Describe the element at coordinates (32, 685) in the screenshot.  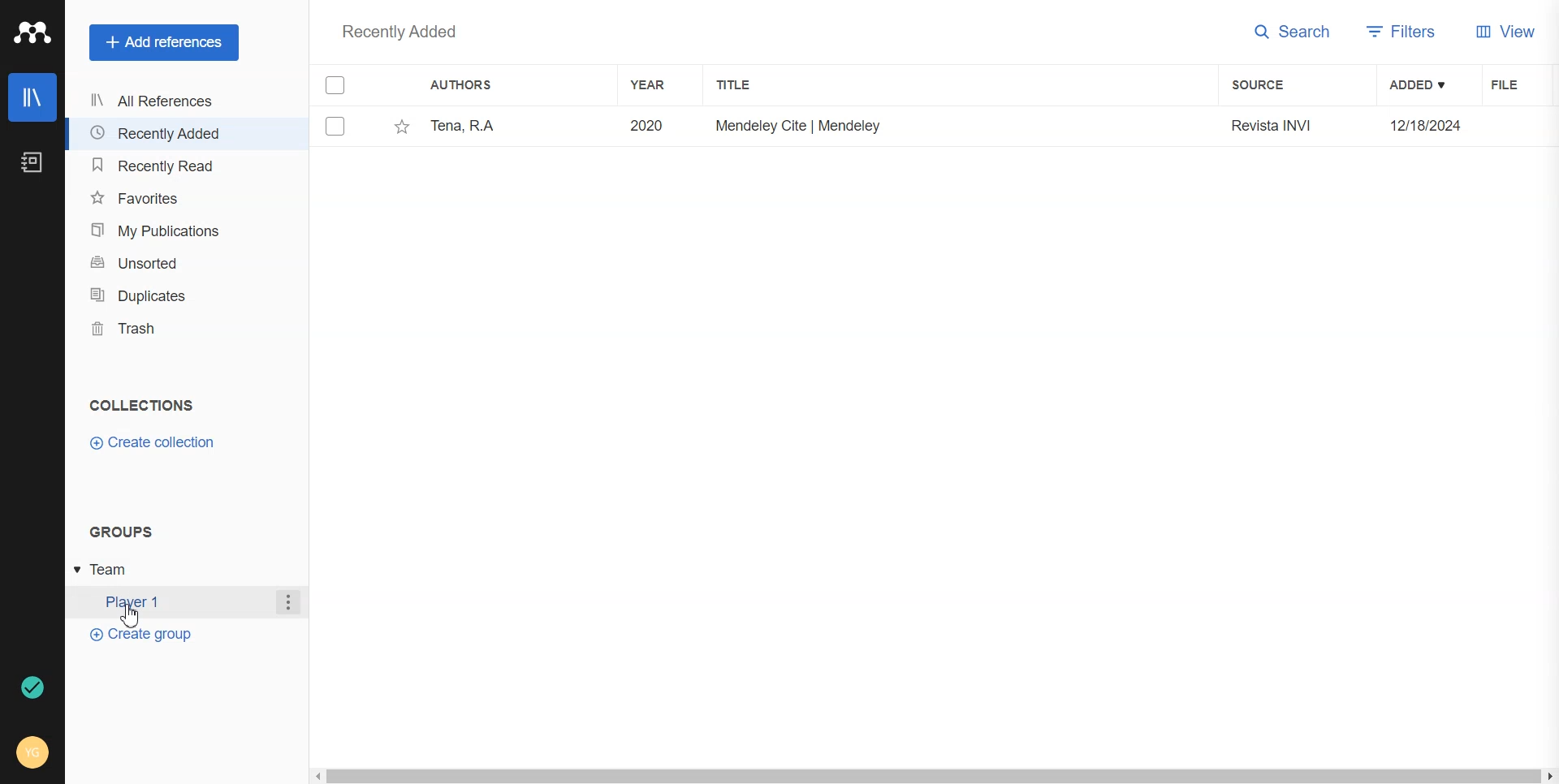
I see `Auto Sync` at that location.